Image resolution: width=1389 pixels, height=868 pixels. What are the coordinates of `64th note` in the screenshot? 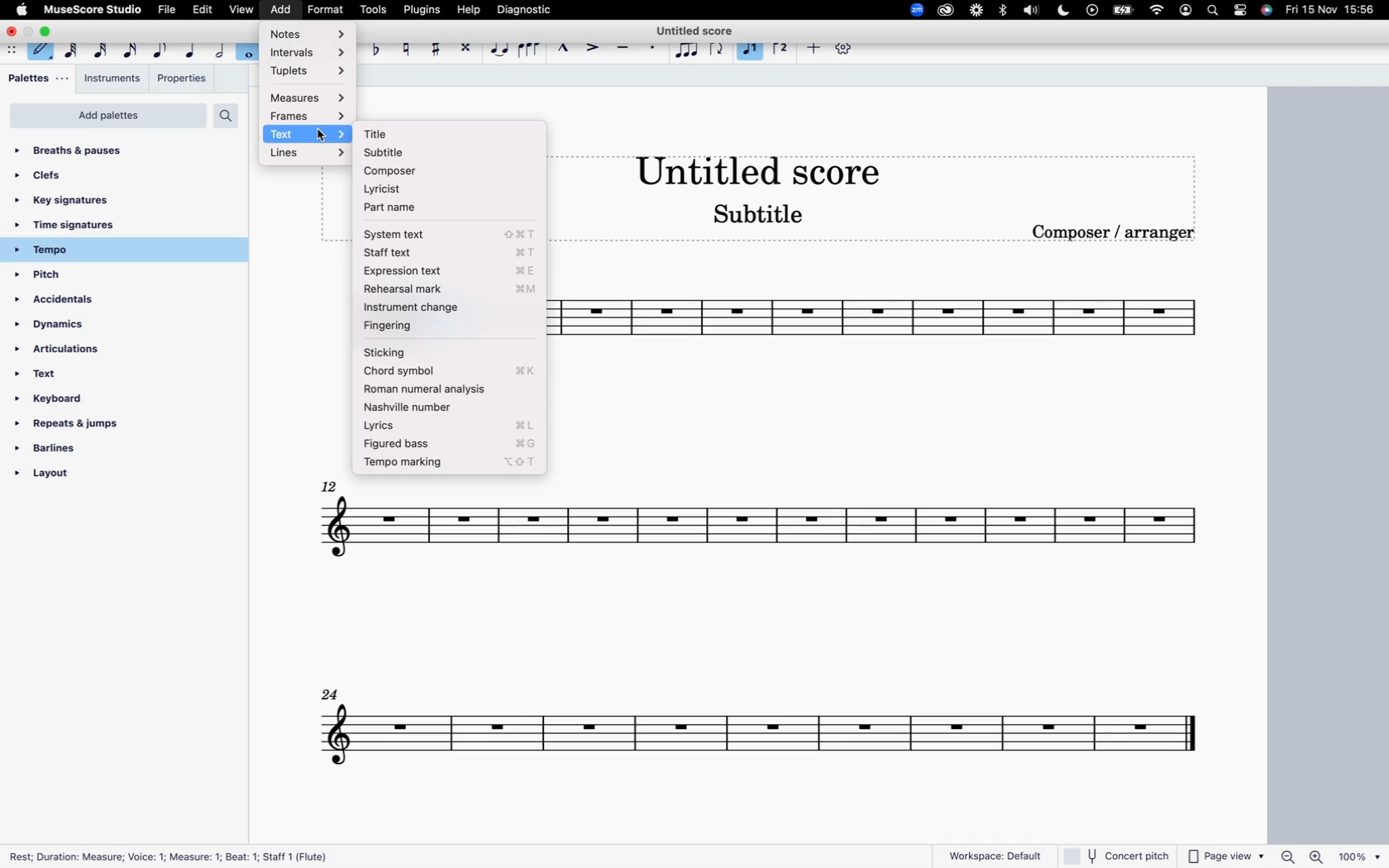 It's located at (66, 46).